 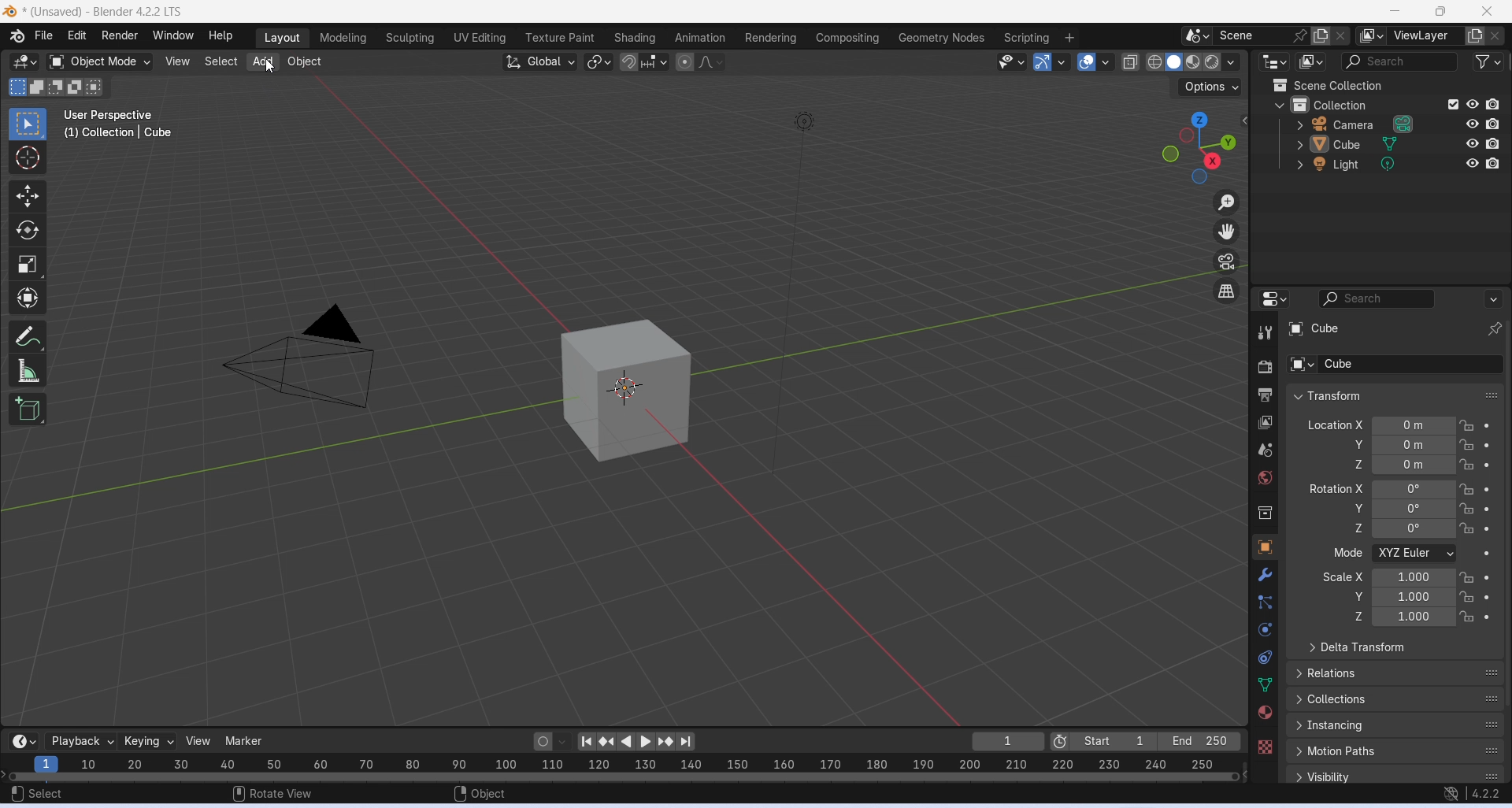 What do you see at coordinates (1488, 617) in the screenshot?
I see `animate property` at bounding box center [1488, 617].